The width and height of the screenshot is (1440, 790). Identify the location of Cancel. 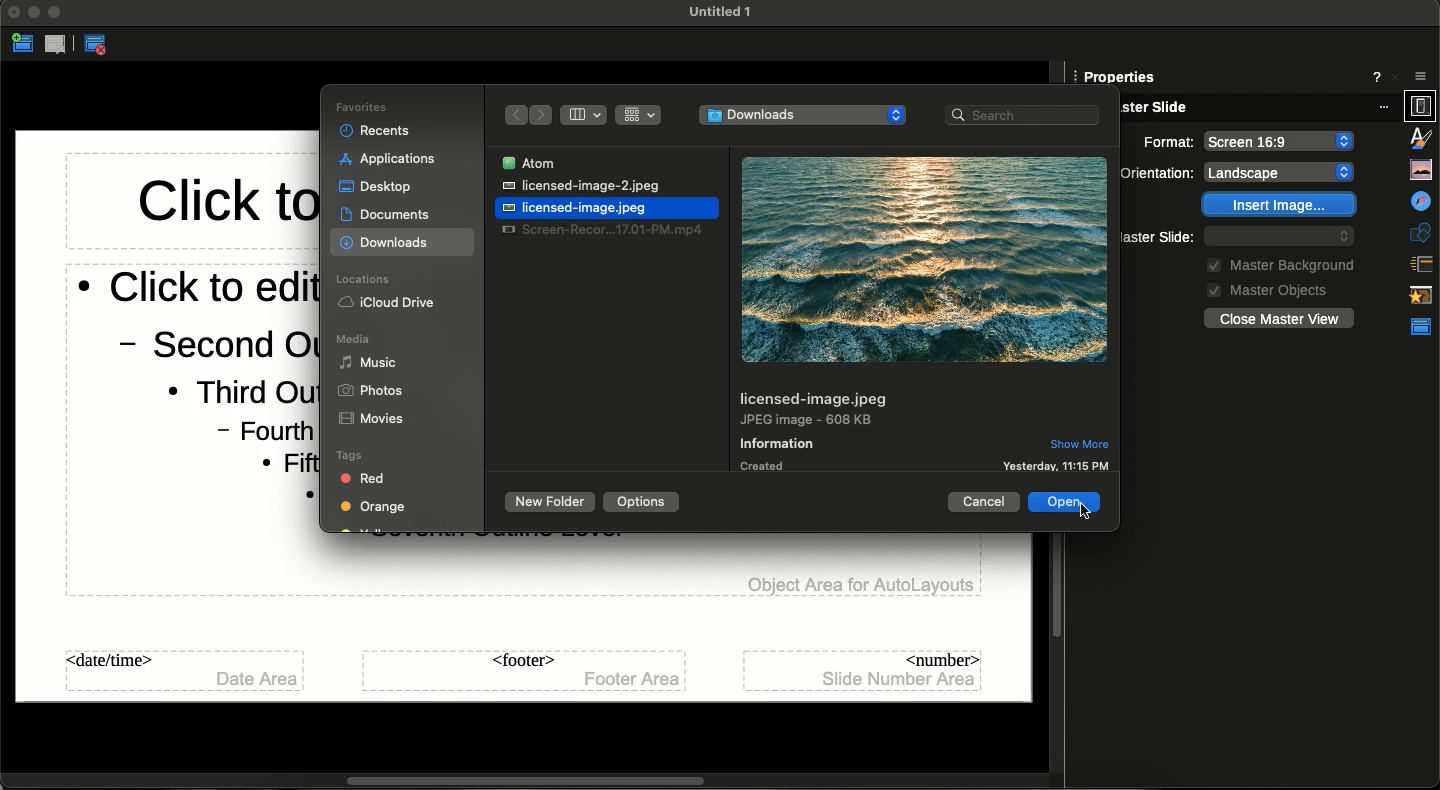
(983, 503).